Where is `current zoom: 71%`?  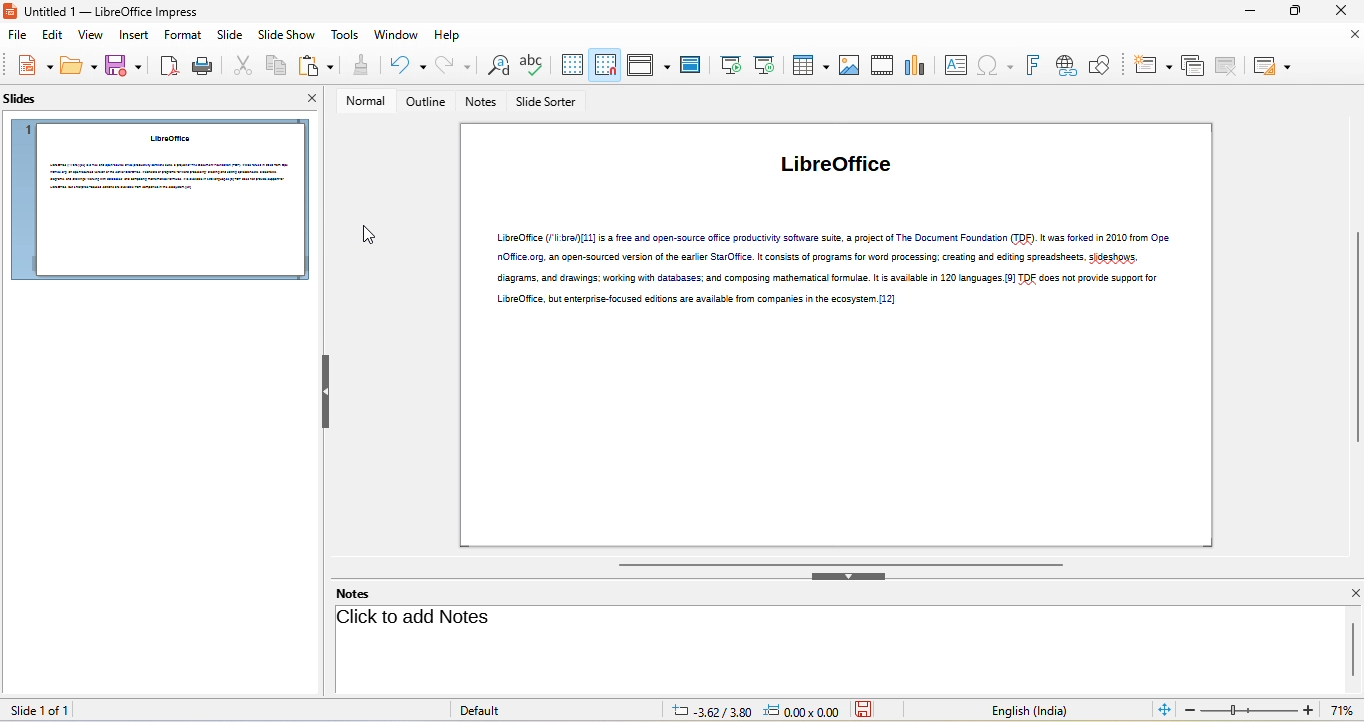
current zoom: 71% is located at coordinates (1344, 709).